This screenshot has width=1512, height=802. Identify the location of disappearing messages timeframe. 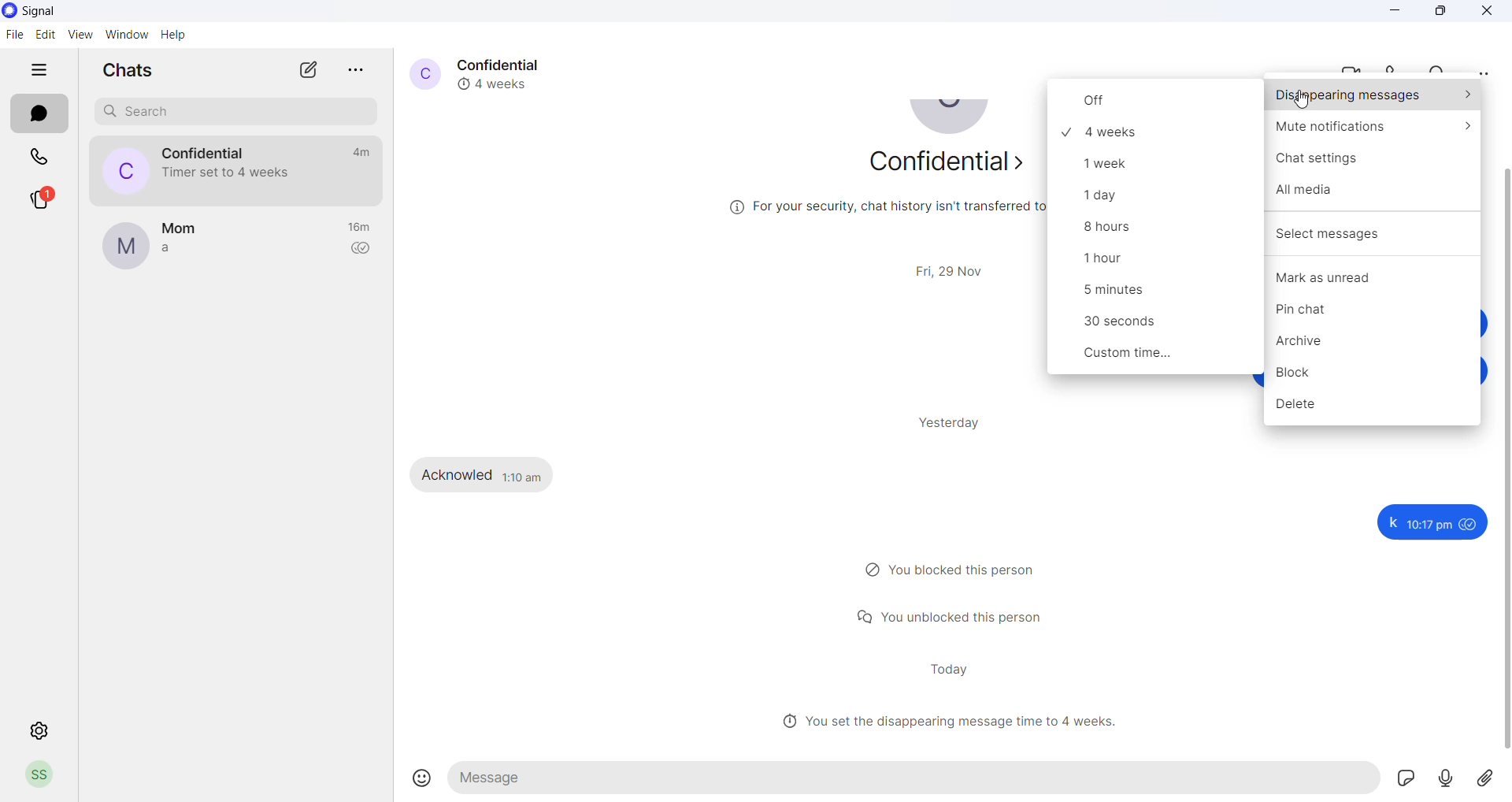
(1161, 357).